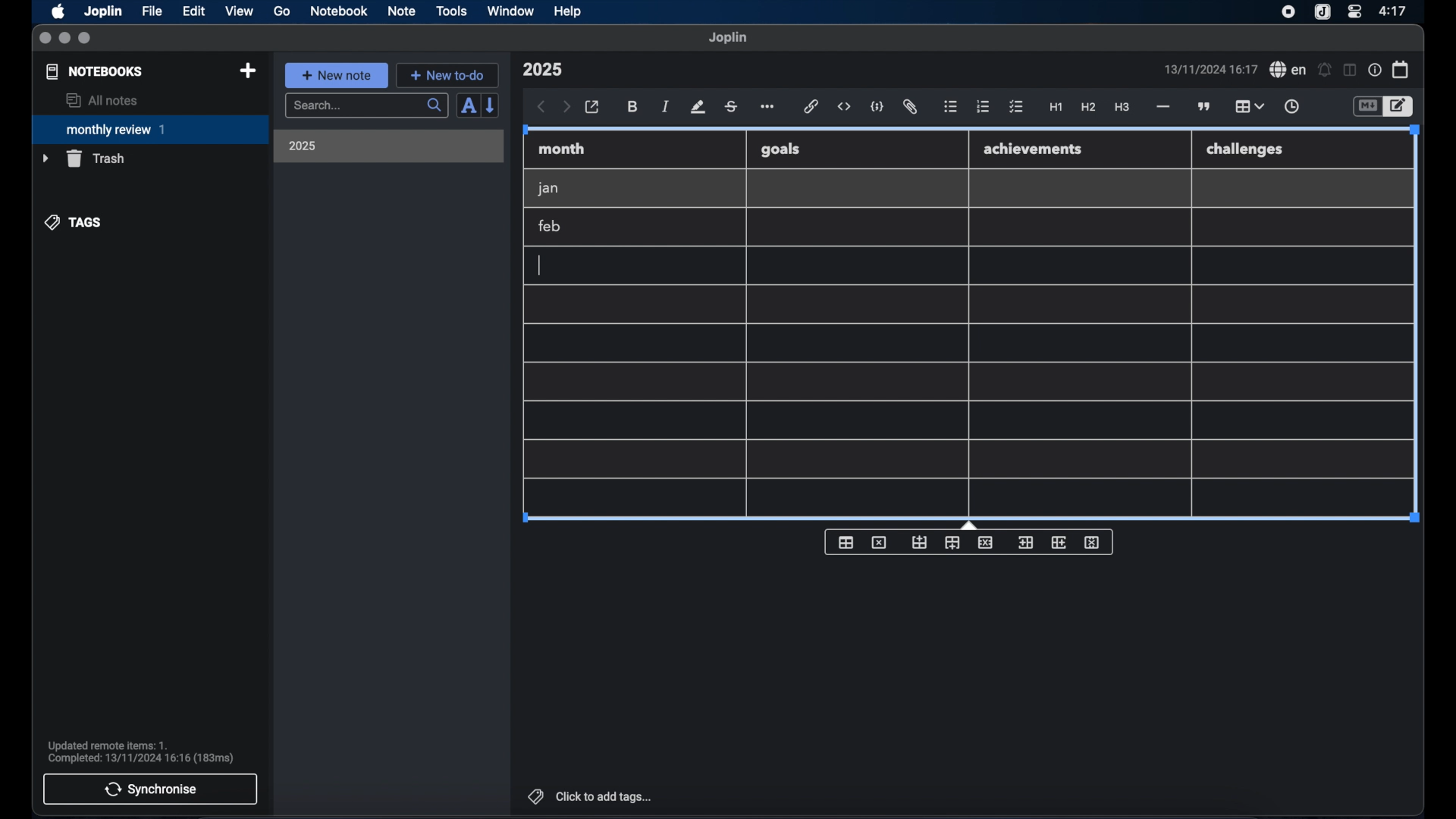 The image size is (1456, 819). What do you see at coordinates (769, 108) in the screenshot?
I see `more options` at bounding box center [769, 108].